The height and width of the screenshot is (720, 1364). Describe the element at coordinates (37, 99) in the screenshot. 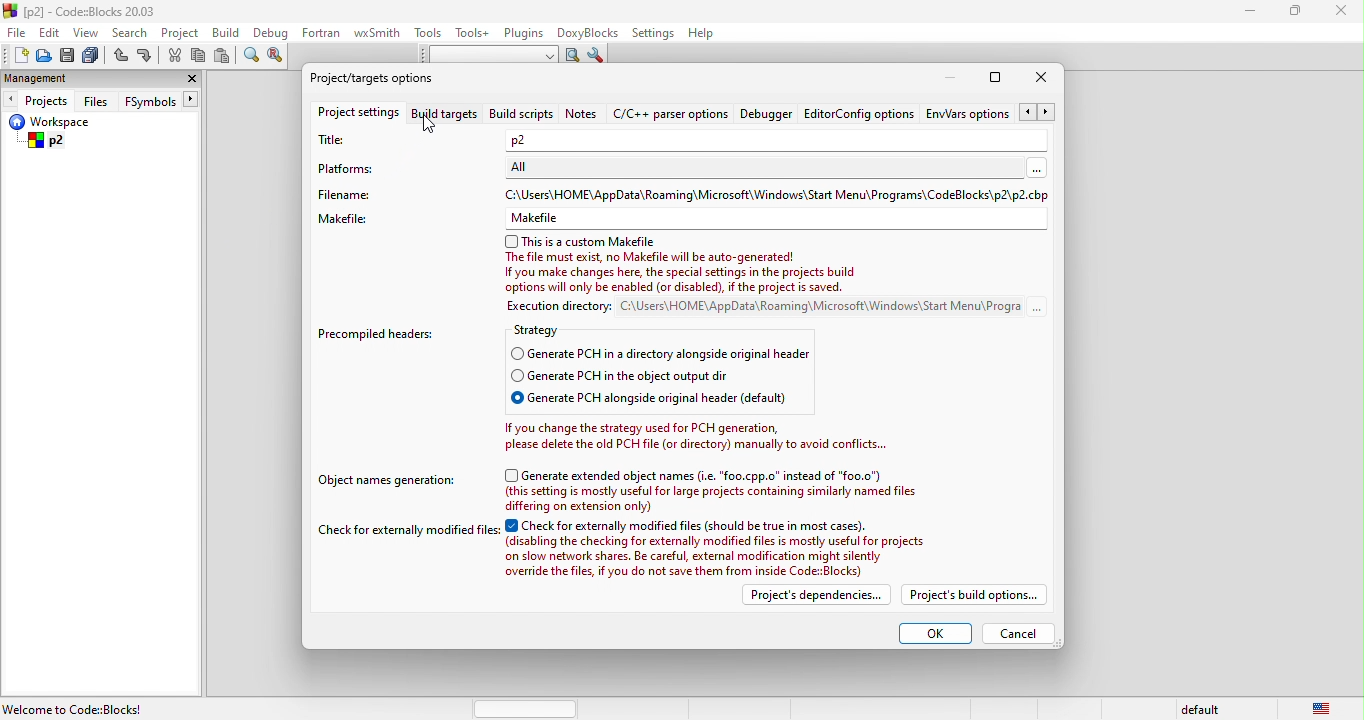

I see `projects` at that location.